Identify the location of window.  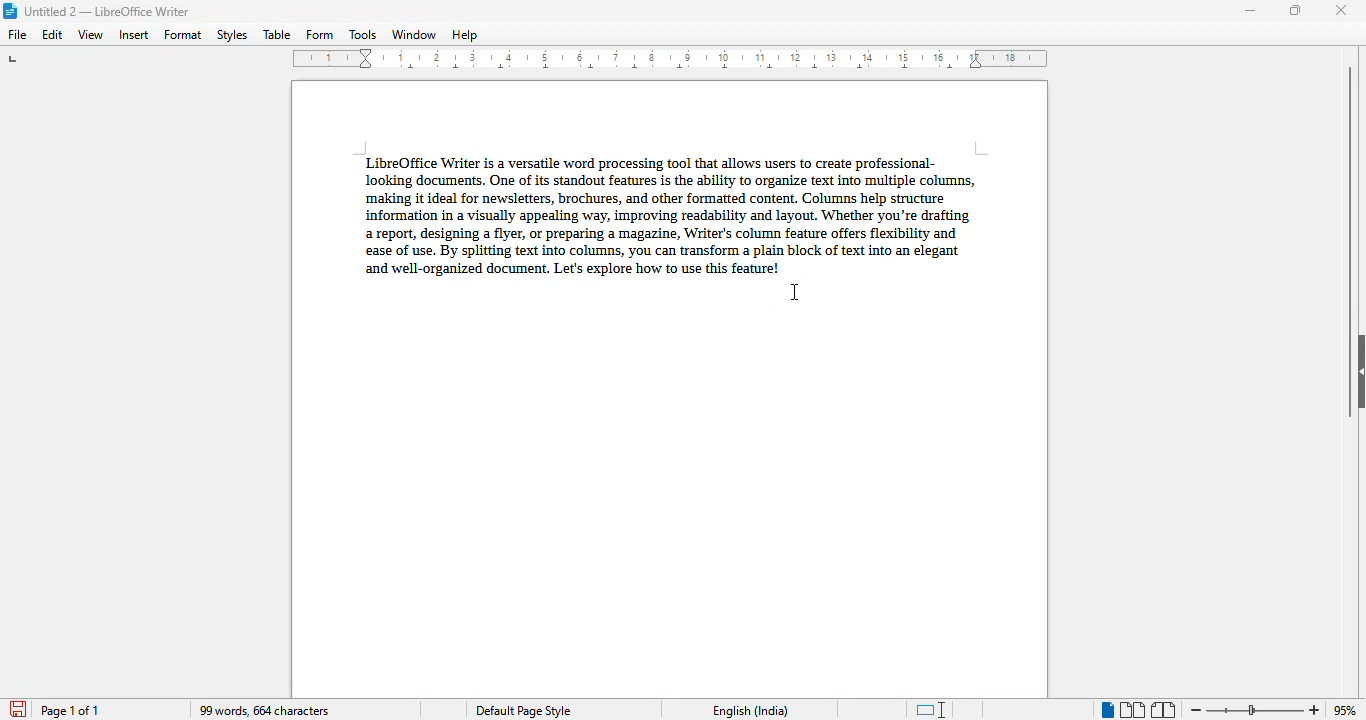
(414, 34).